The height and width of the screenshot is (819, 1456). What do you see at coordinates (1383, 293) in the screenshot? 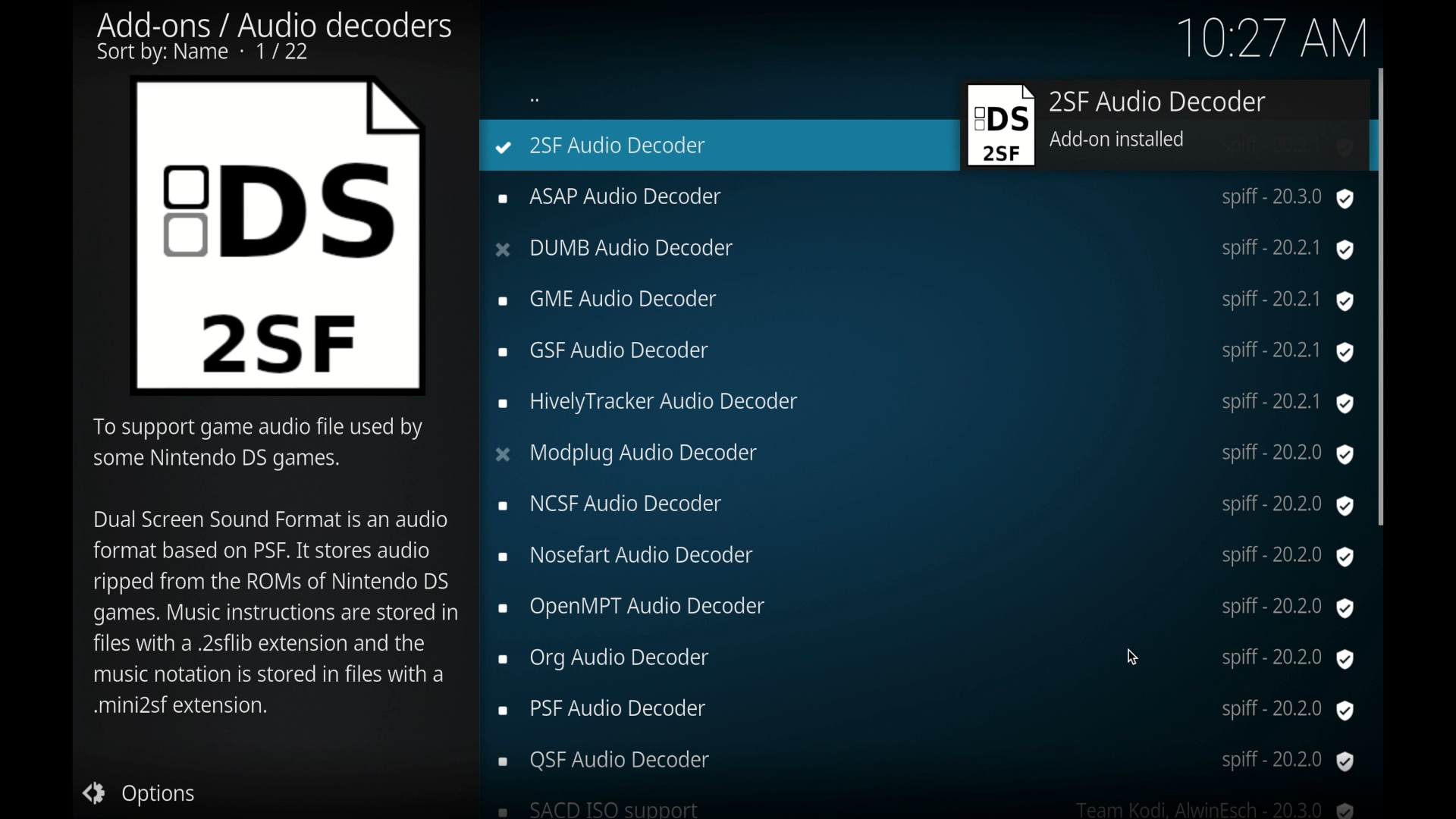
I see `scroll box` at bounding box center [1383, 293].